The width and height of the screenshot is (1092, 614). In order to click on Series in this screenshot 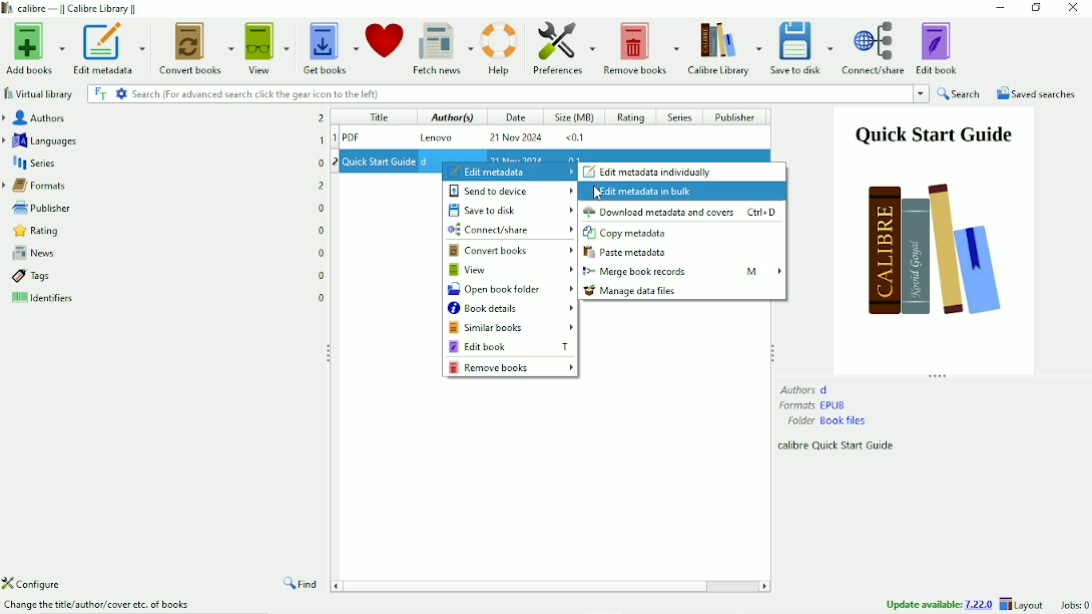, I will do `click(164, 162)`.